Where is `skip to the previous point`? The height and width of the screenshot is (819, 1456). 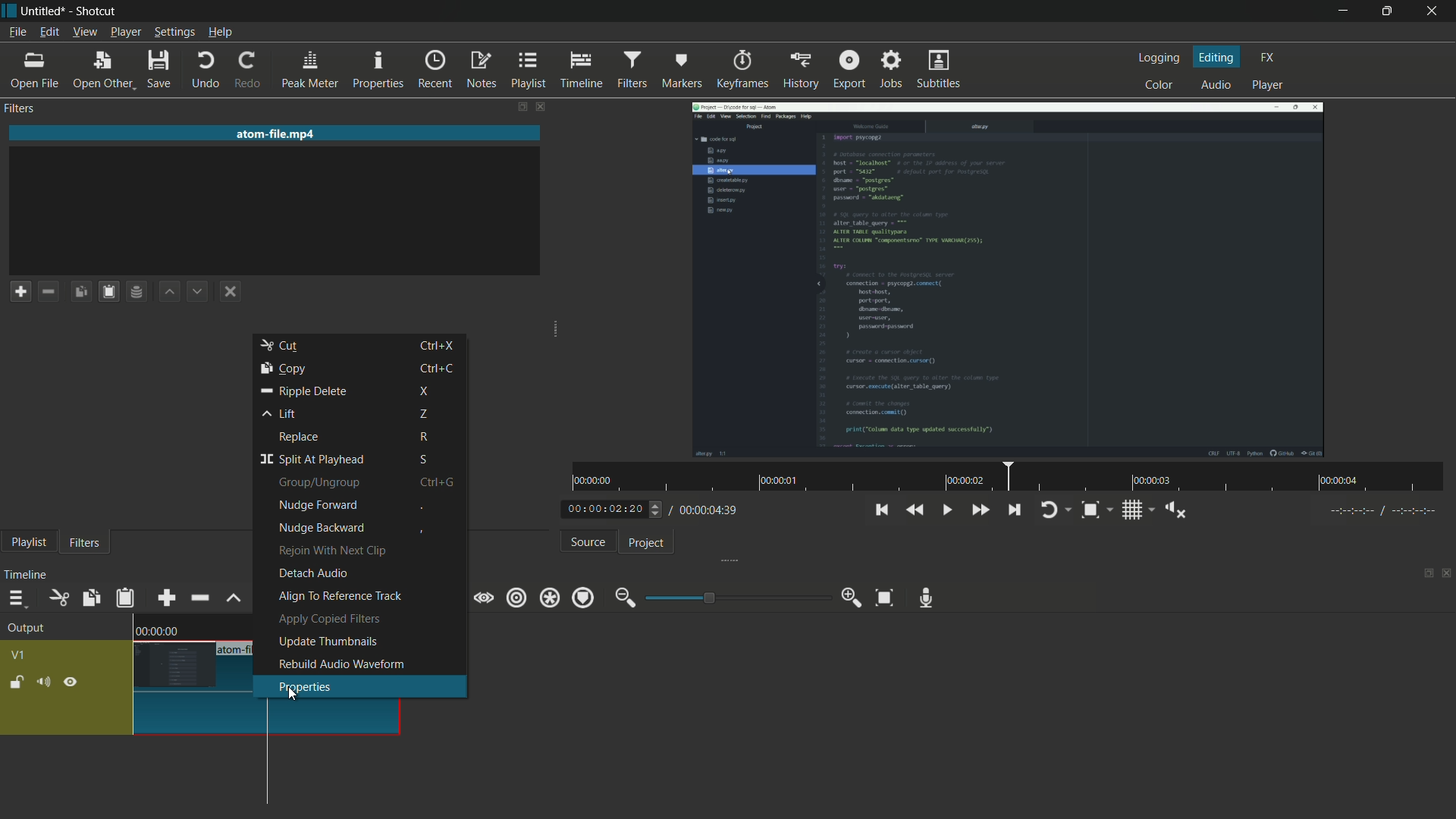 skip to the previous point is located at coordinates (880, 510).